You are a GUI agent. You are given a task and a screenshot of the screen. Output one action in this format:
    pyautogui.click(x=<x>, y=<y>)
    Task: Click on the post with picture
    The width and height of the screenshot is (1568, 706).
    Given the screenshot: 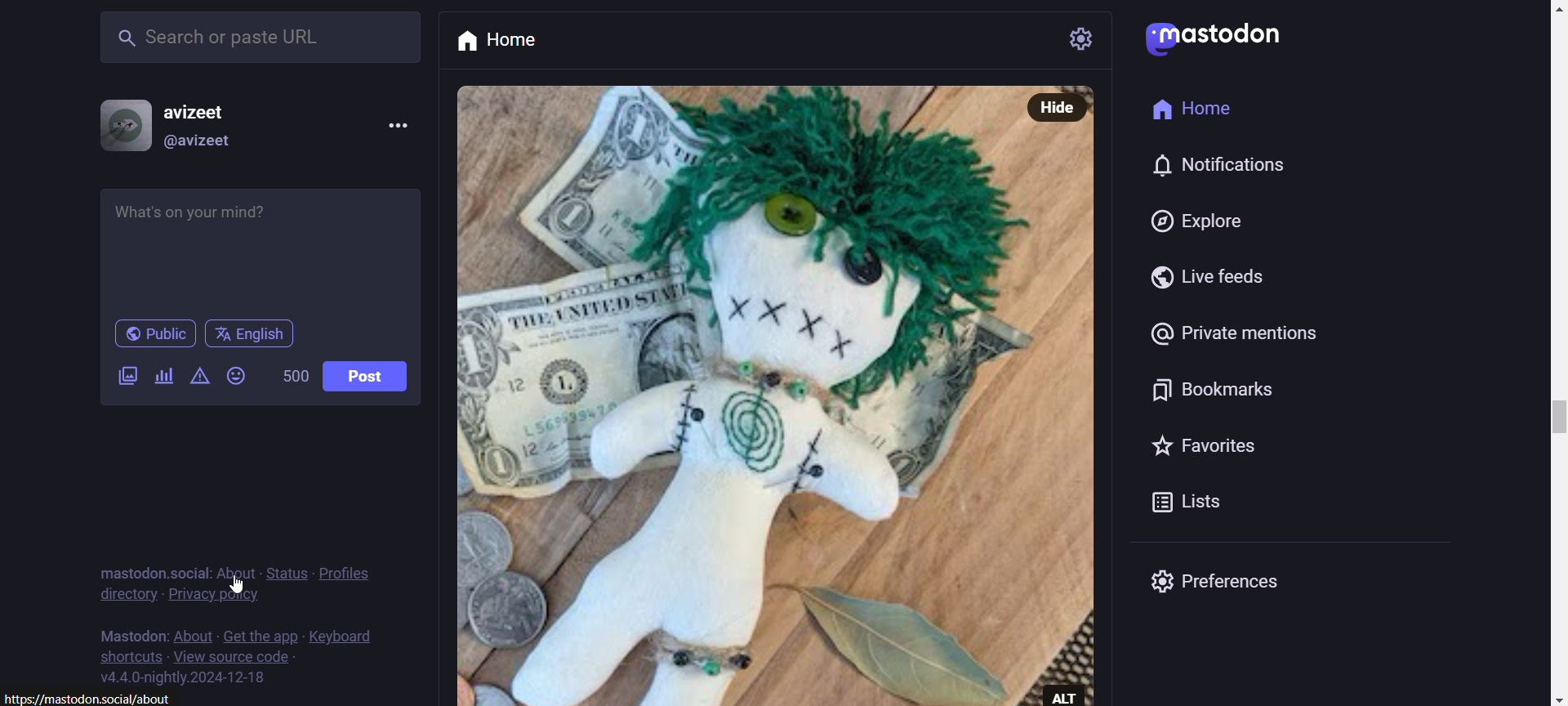 What is the action you would take?
    pyautogui.click(x=737, y=395)
    